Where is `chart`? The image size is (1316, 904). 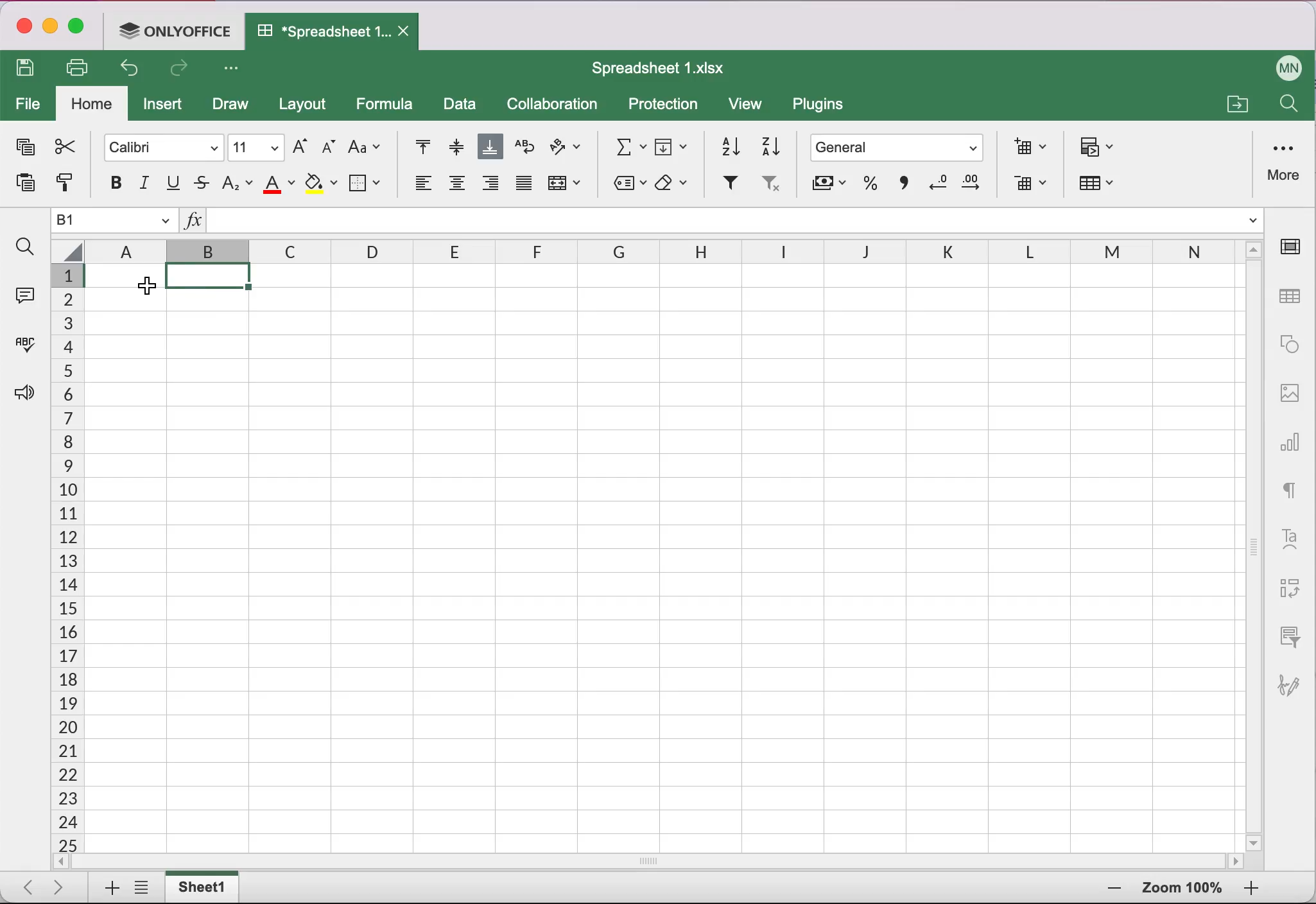
chart is located at coordinates (1292, 437).